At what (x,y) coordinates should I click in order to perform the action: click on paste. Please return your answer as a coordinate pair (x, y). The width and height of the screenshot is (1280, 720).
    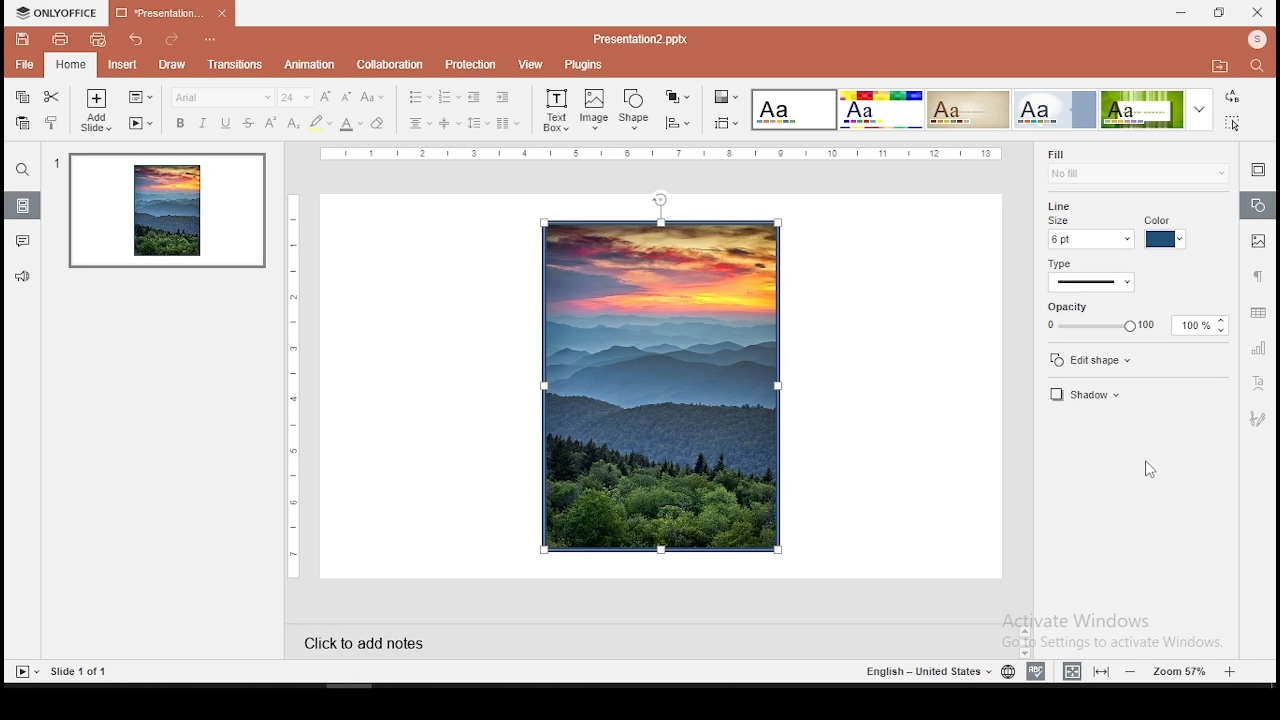
    Looking at the image, I should click on (23, 123).